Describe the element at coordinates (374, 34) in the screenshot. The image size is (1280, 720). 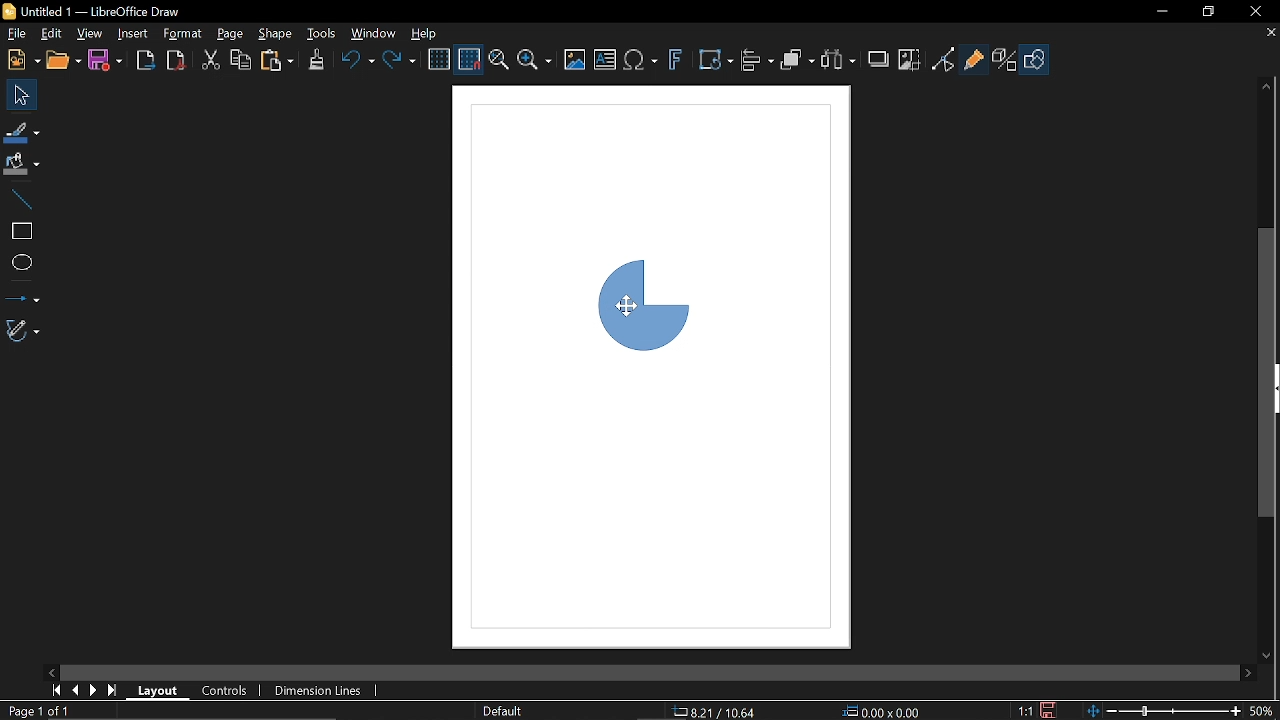
I see `Window` at that location.